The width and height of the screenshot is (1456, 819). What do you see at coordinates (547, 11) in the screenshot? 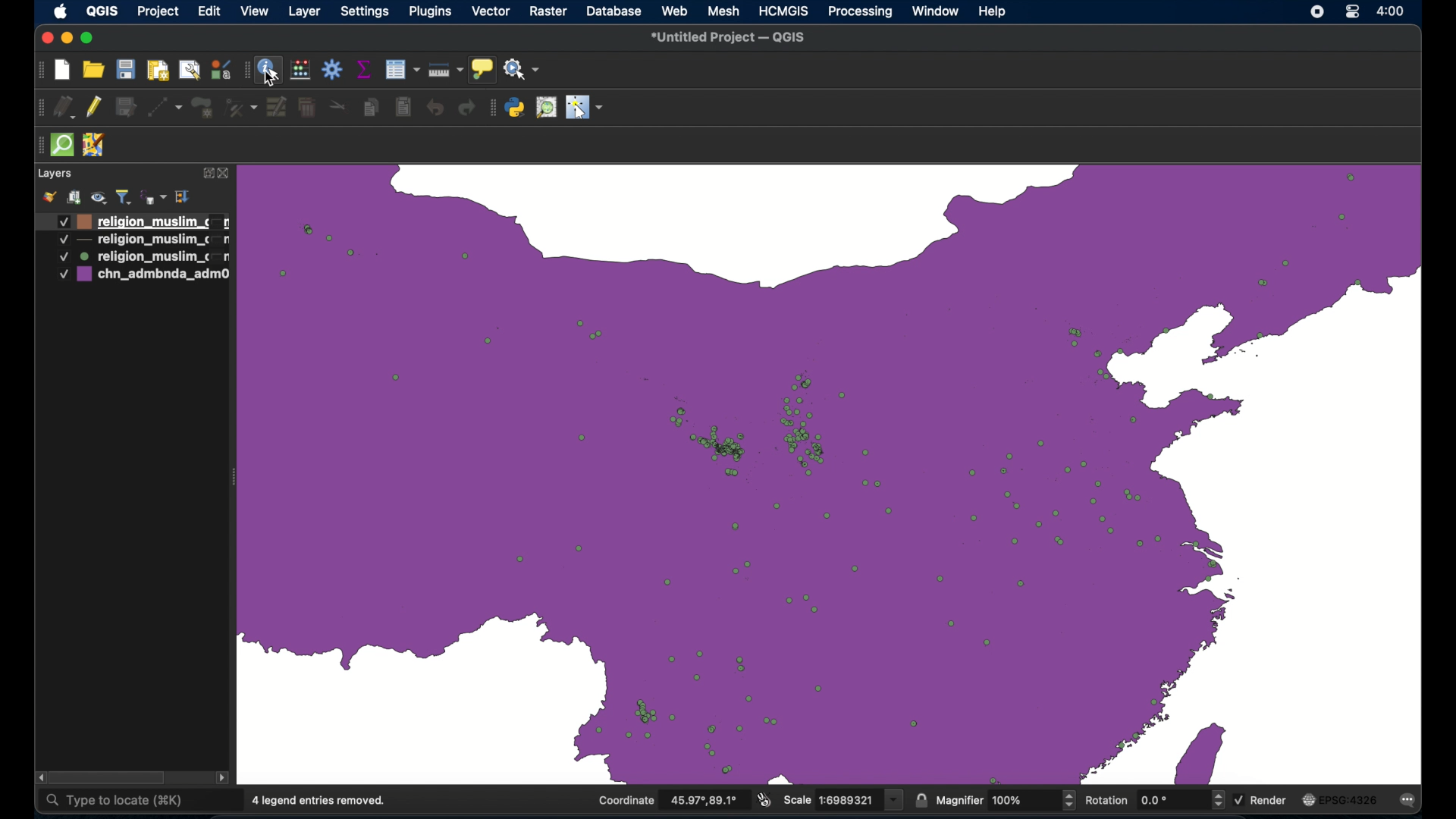
I see `raster` at bounding box center [547, 11].